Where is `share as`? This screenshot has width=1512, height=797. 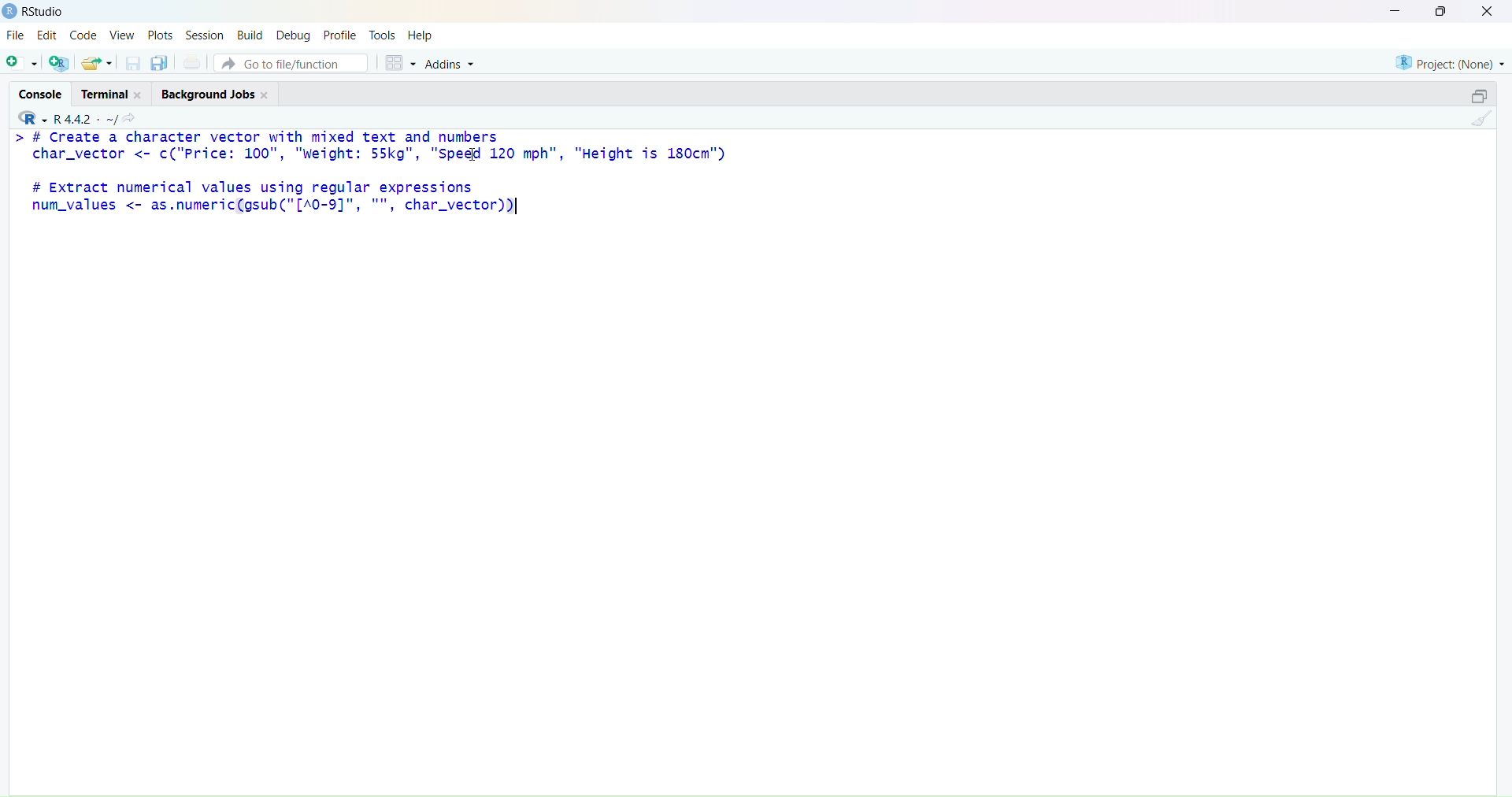
share as is located at coordinates (98, 63).